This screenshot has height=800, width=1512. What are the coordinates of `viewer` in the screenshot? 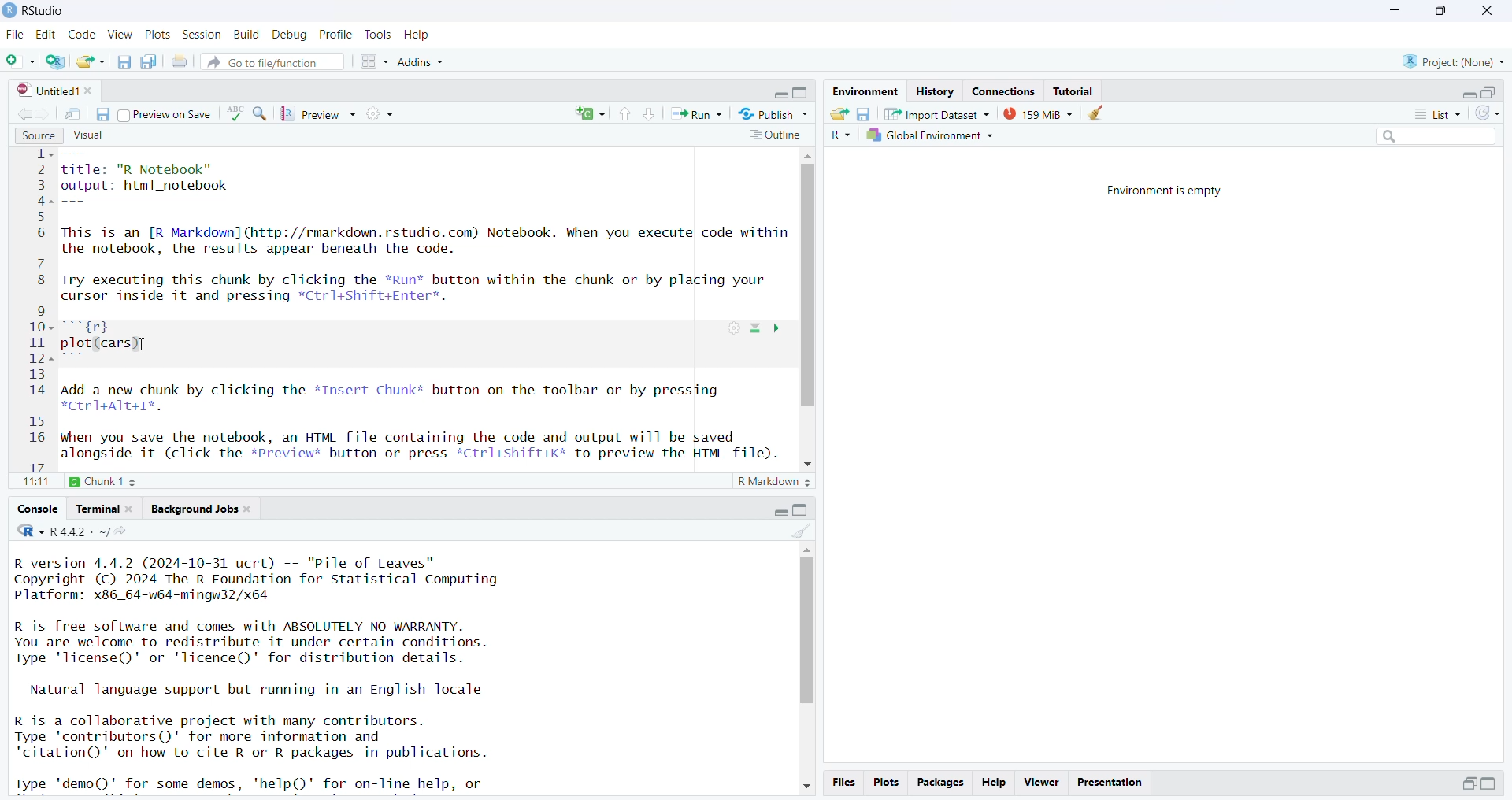 It's located at (1041, 783).